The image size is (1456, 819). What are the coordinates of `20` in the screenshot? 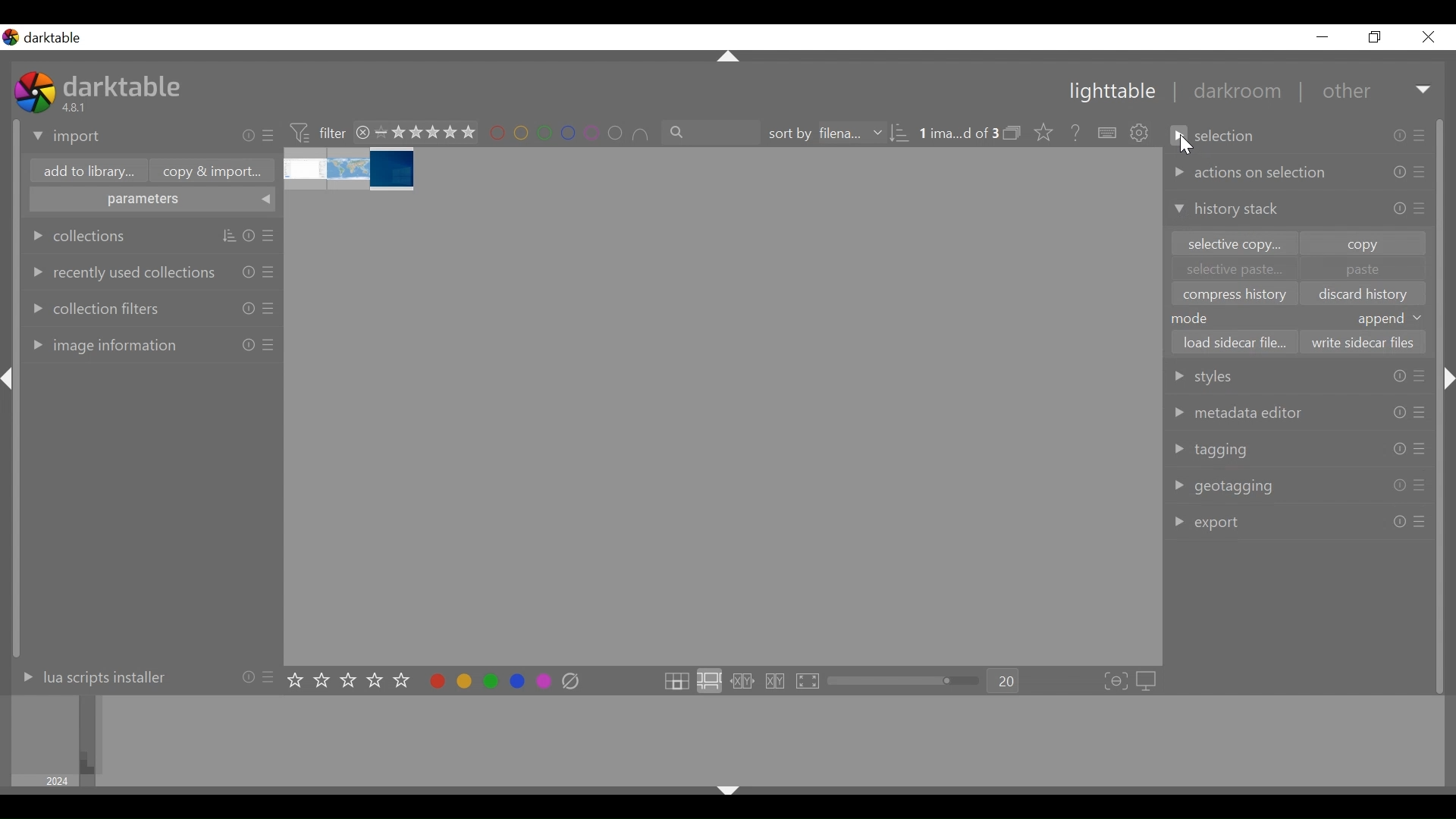 It's located at (1004, 682).